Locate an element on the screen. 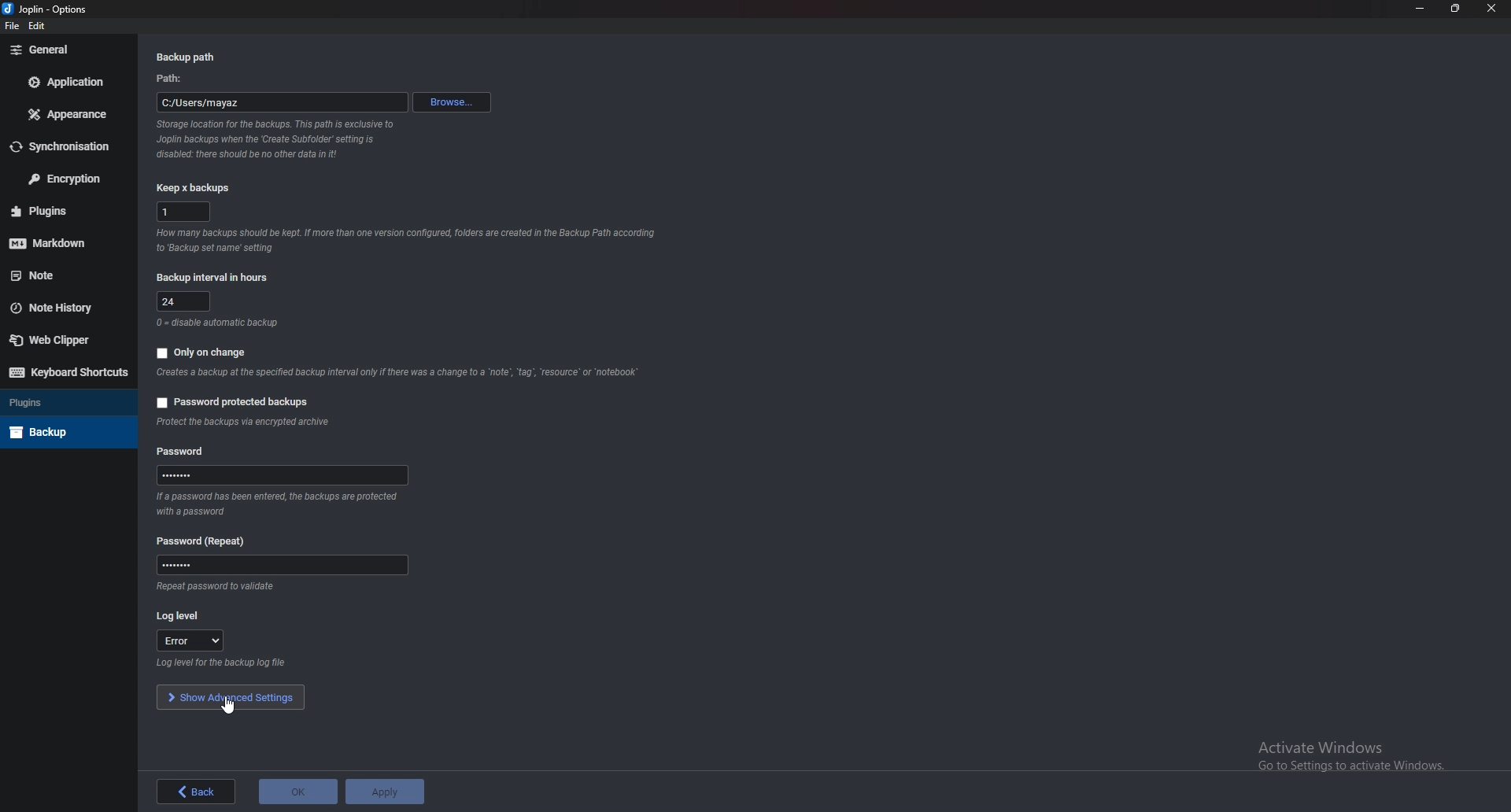 This screenshot has height=812, width=1511. Password is located at coordinates (283, 475).